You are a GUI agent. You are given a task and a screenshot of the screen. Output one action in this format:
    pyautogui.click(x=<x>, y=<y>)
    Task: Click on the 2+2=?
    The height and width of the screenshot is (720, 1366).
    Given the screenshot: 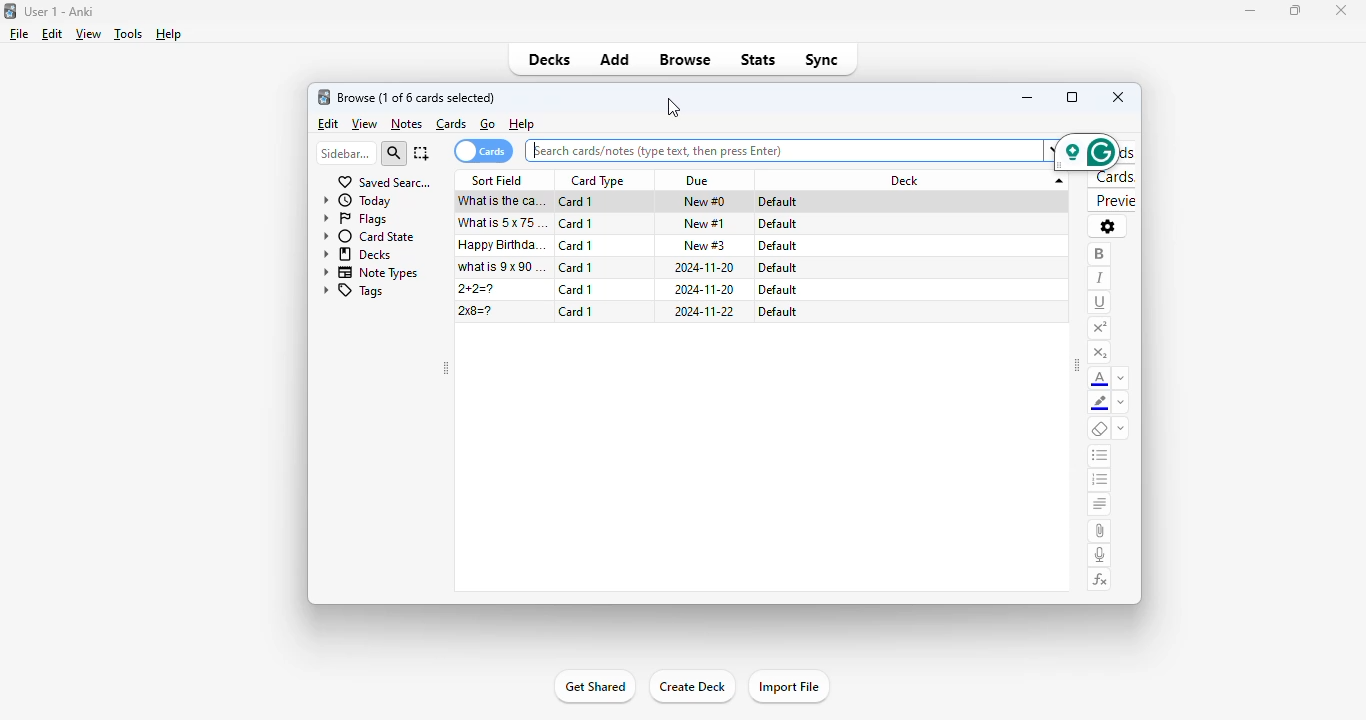 What is the action you would take?
    pyautogui.click(x=476, y=288)
    